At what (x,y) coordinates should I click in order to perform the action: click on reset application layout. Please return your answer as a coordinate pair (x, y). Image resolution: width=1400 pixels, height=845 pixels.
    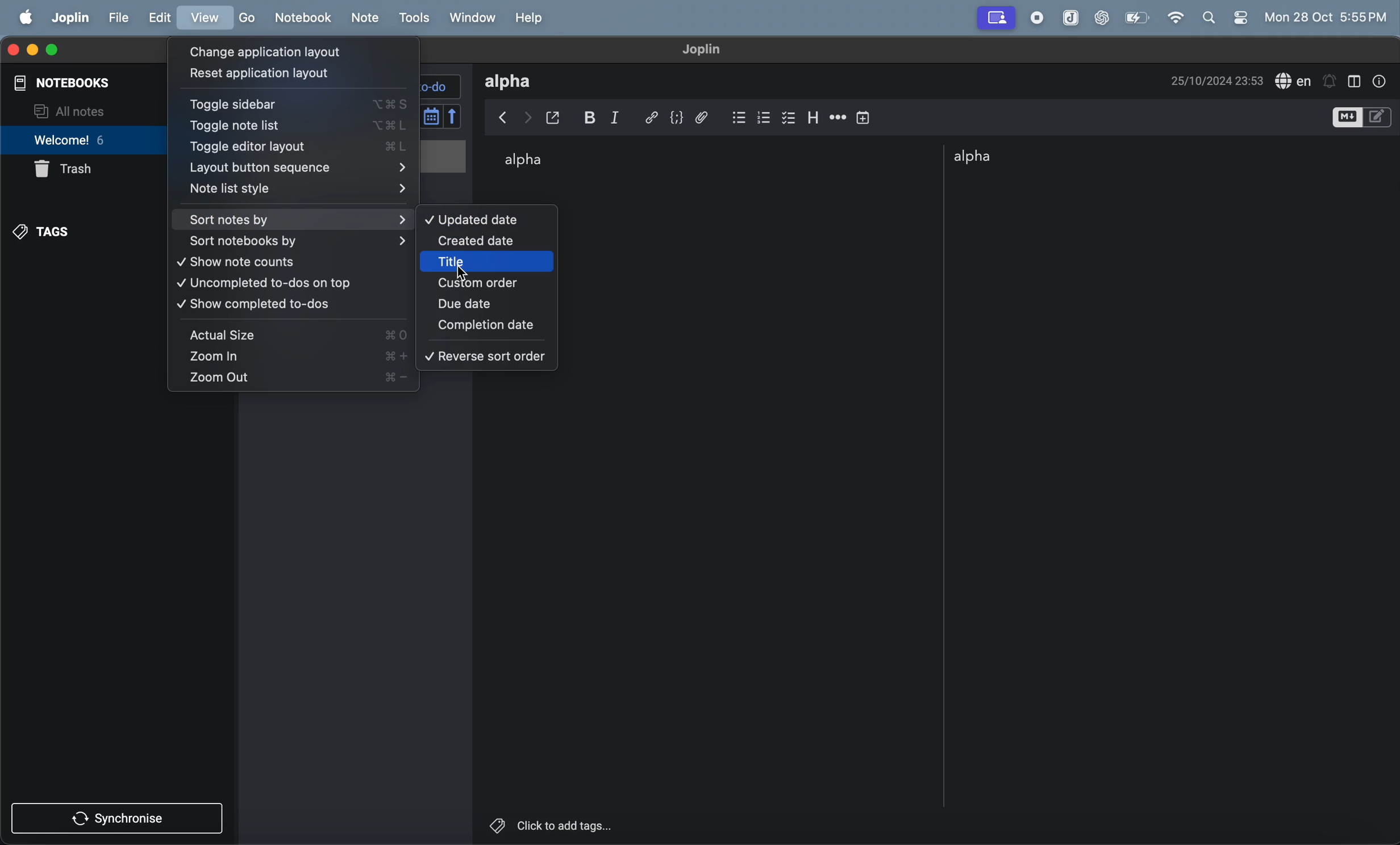
    Looking at the image, I should click on (257, 74).